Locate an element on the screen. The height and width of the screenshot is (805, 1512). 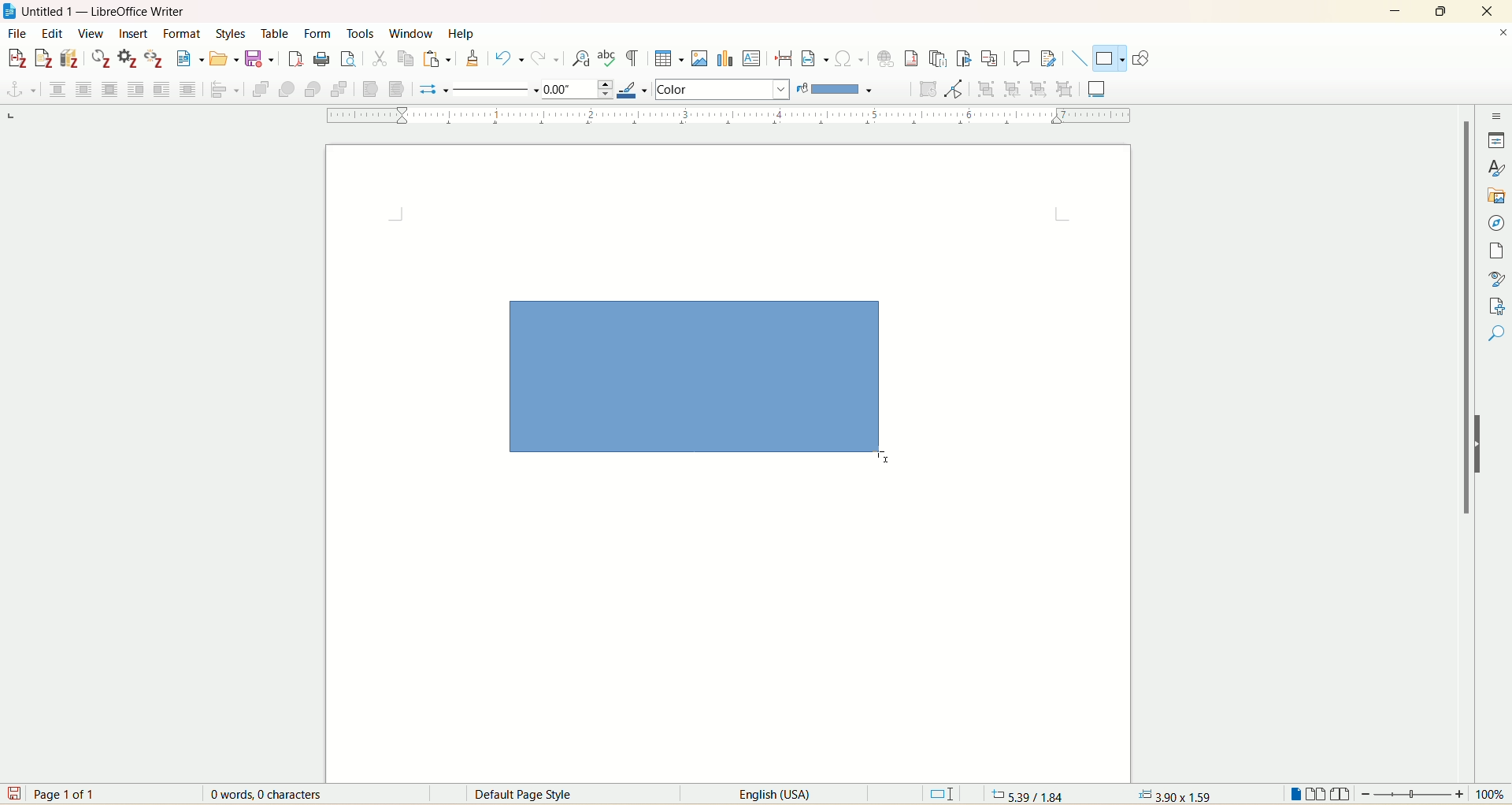
help is located at coordinates (461, 33).